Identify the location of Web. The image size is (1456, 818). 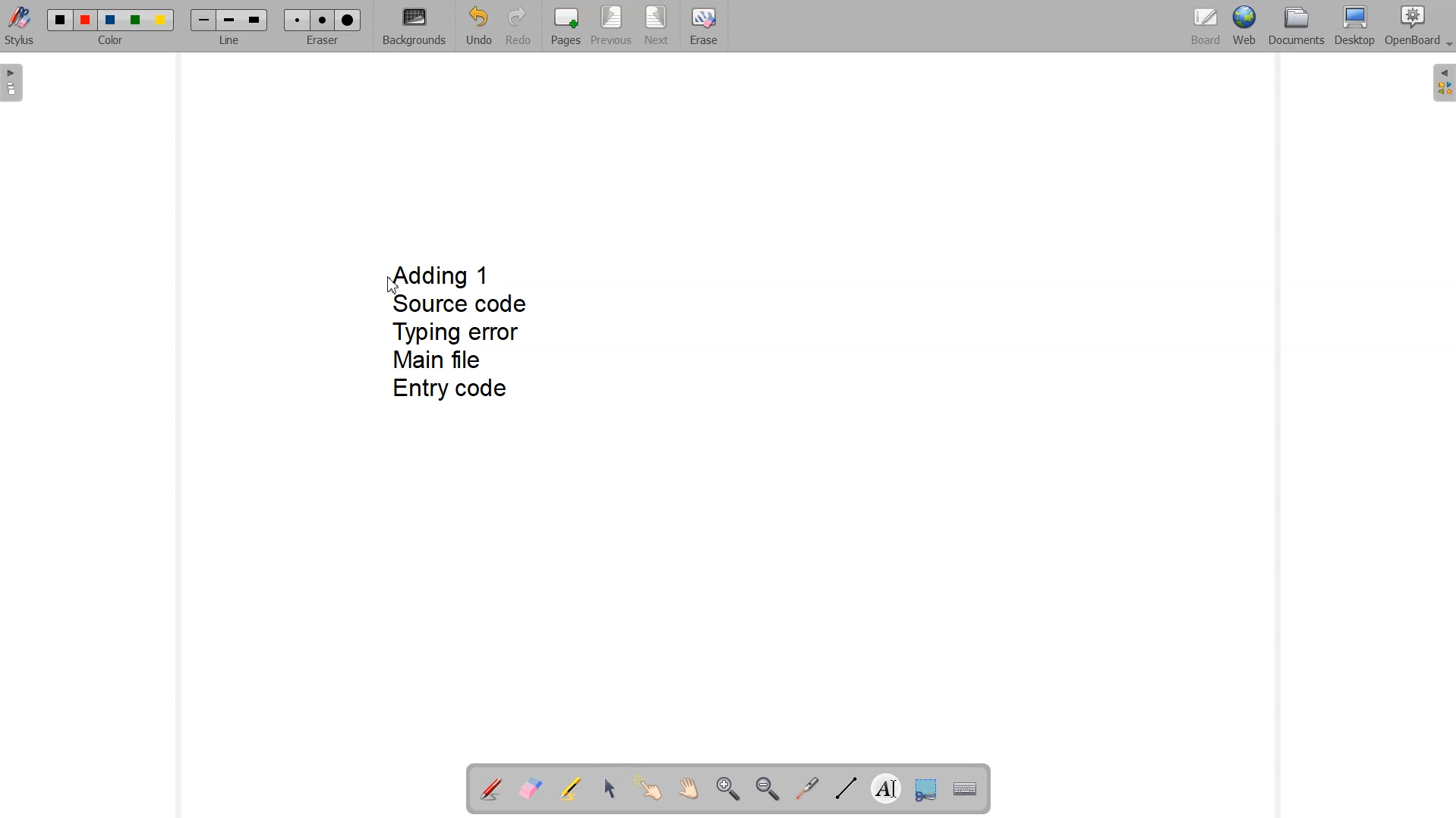
(1244, 27).